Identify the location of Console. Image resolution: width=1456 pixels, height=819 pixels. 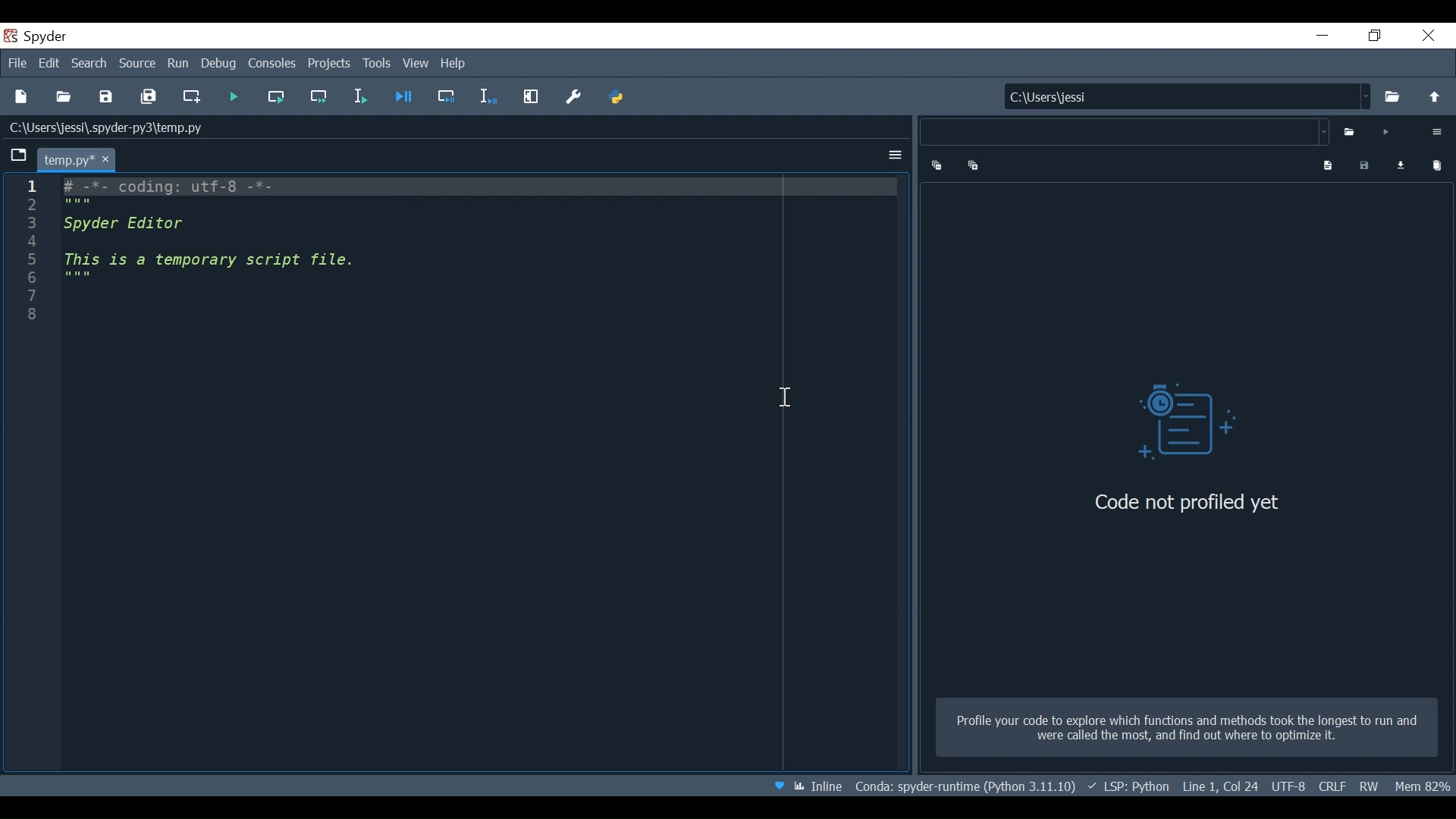
(272, 63).